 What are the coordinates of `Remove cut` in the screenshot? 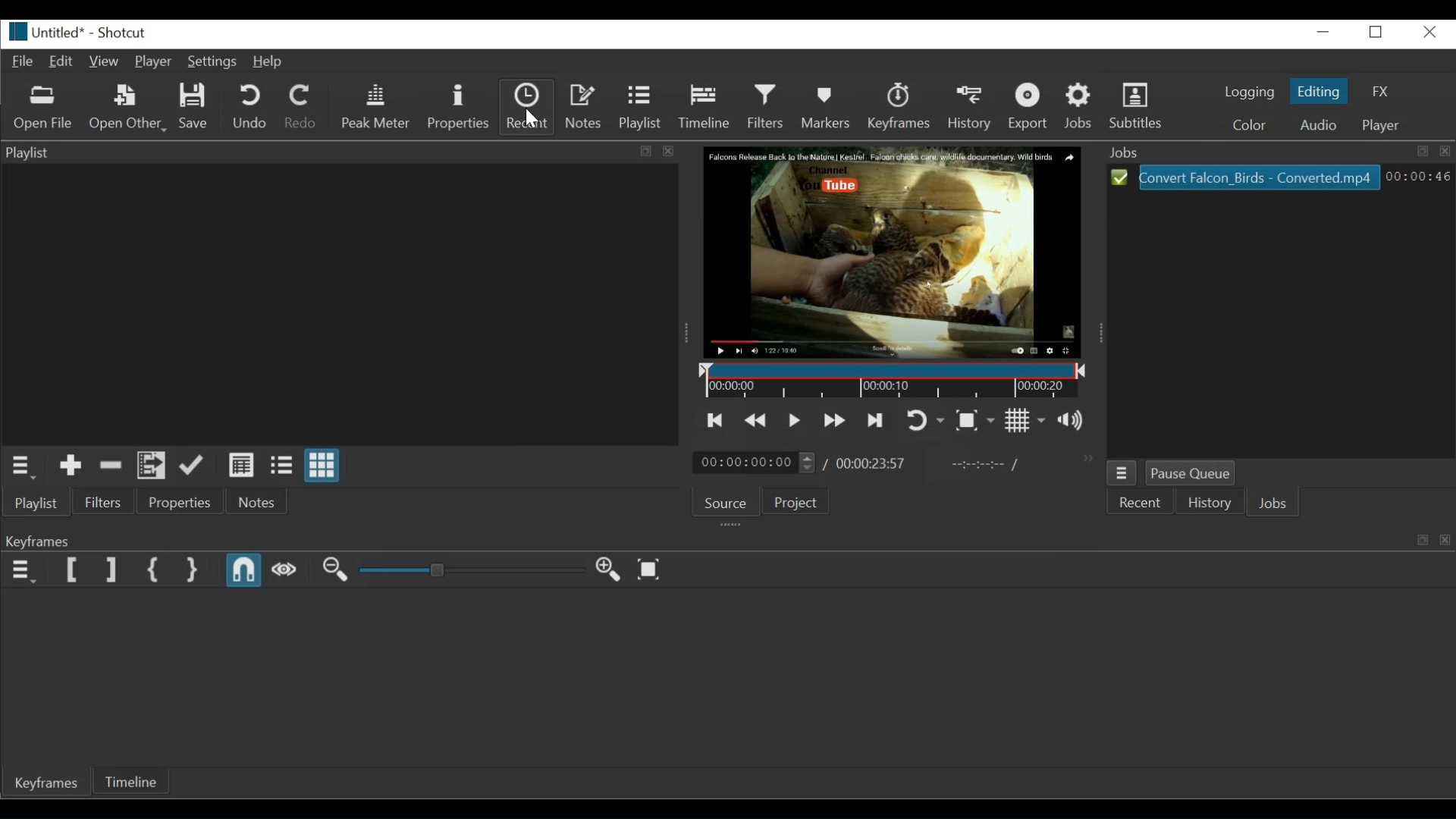 It's located at (111, 465).